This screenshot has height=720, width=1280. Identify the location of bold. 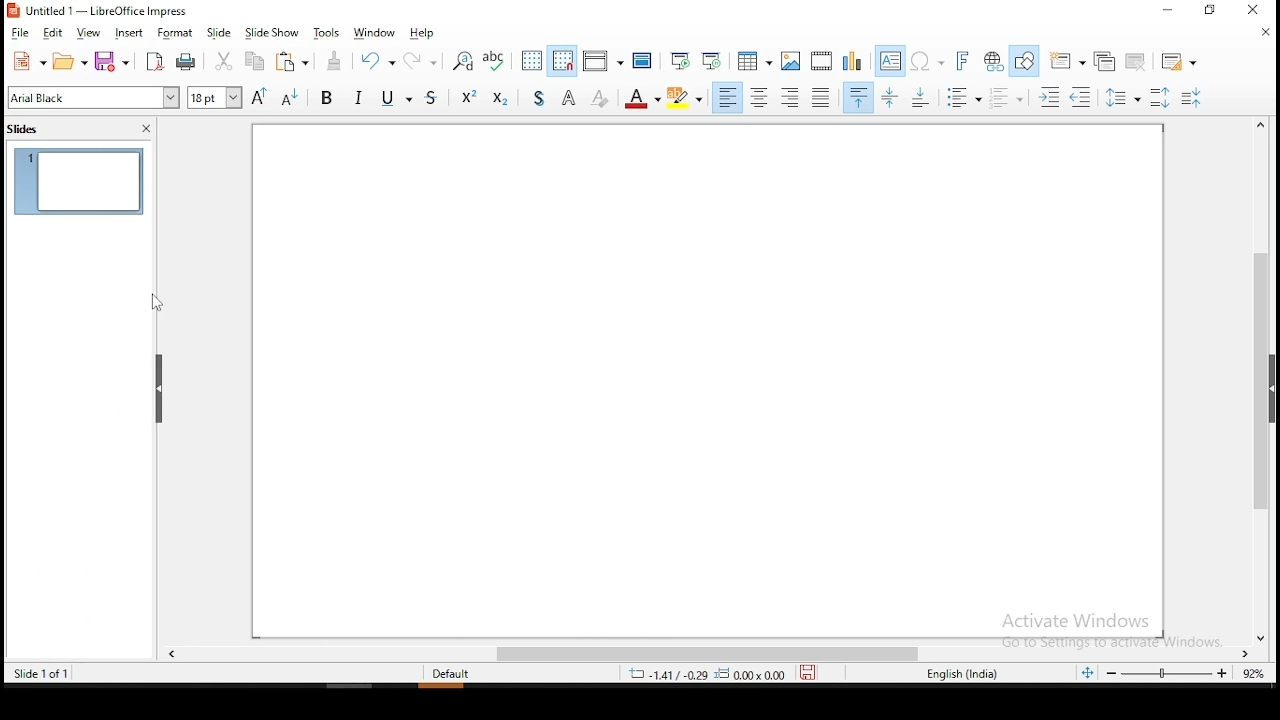
(328, 97).